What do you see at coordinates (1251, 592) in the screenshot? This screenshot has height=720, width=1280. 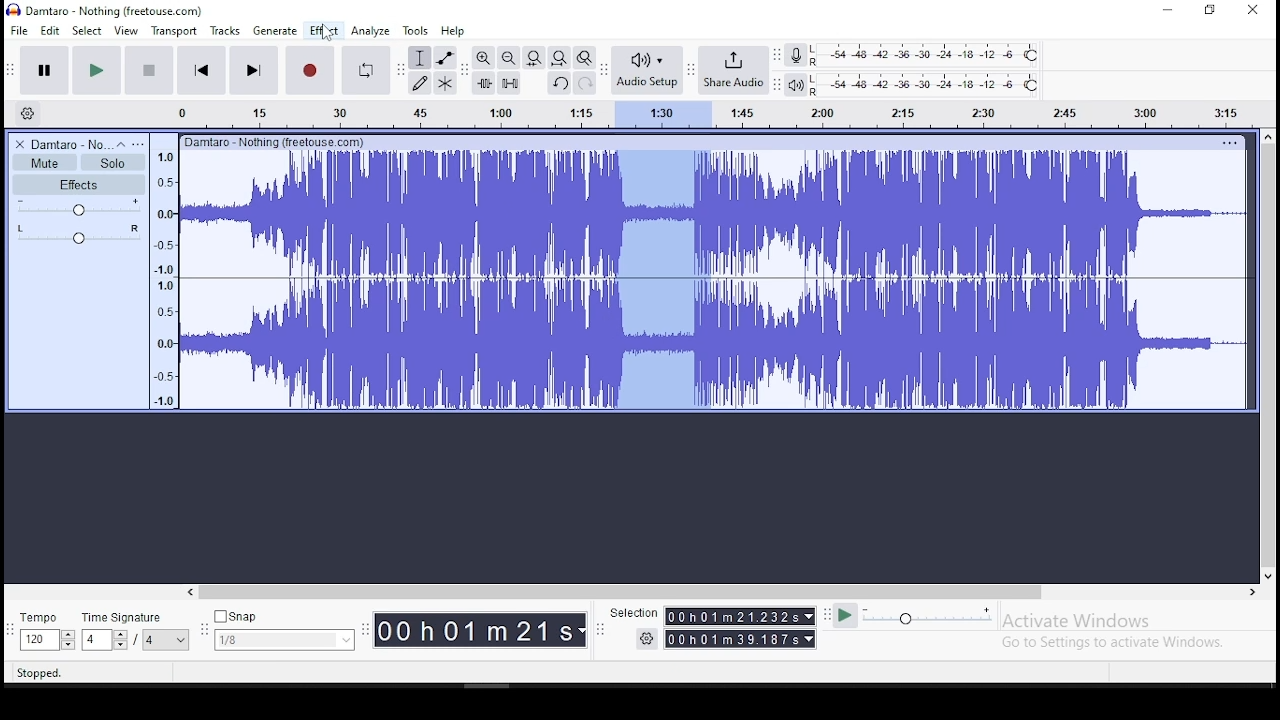 I see `right` at bounding box center [1251, 592].